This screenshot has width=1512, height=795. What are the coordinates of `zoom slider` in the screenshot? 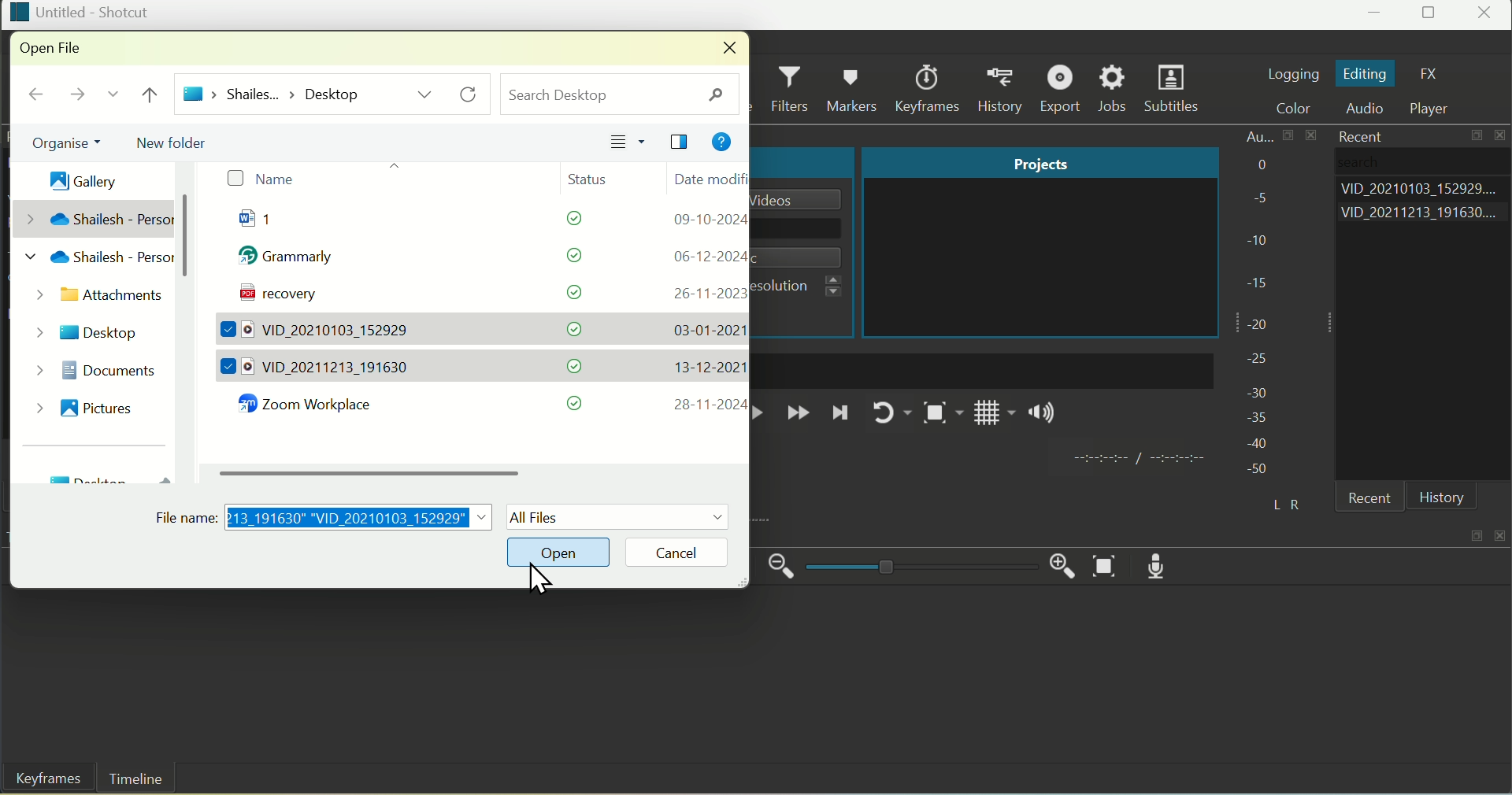 It's located at (918, 568).